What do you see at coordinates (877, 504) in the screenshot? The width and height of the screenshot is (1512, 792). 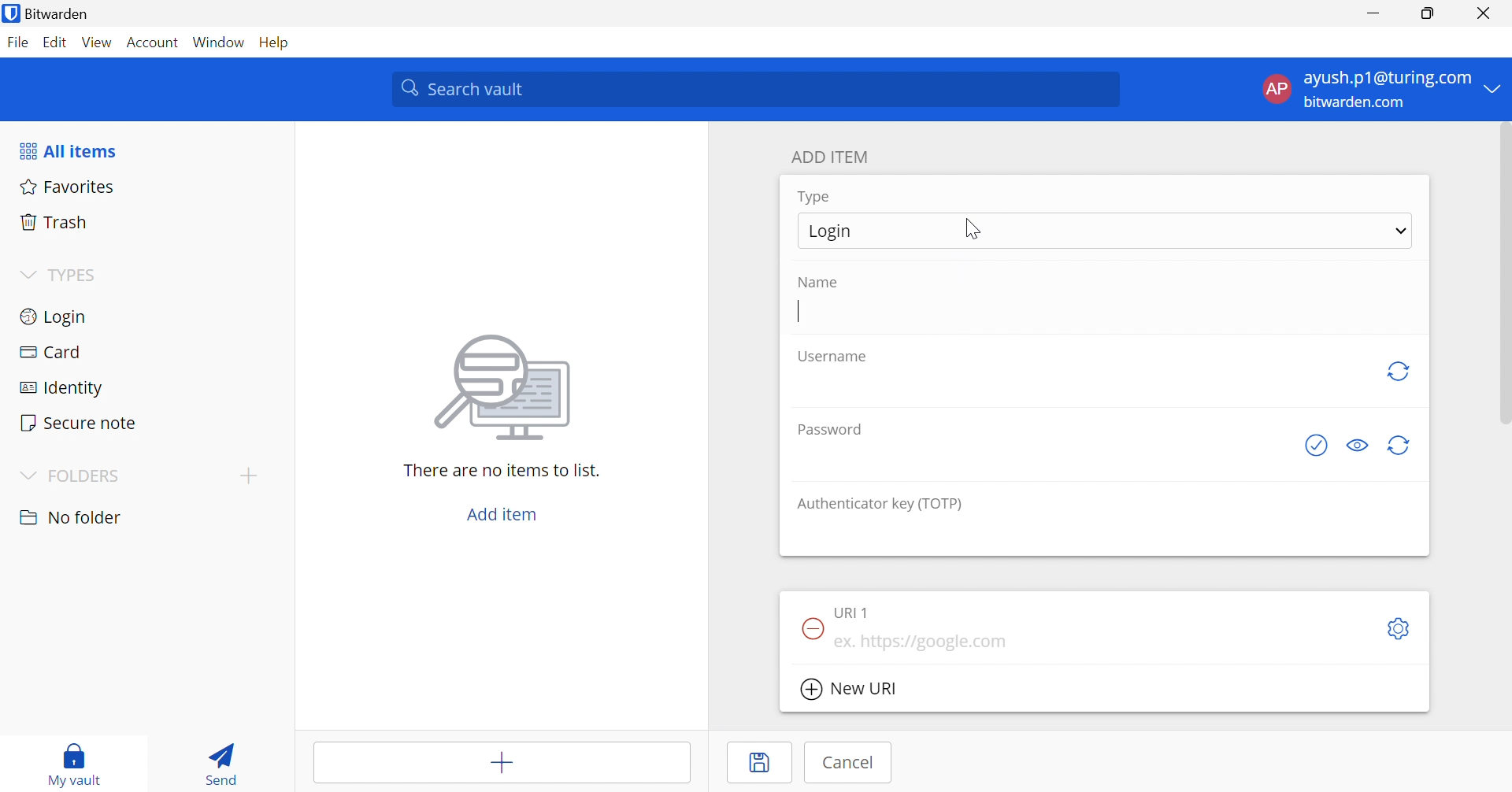 I see `Authenticator key (TOTP)` at bounding box center [877, 504].